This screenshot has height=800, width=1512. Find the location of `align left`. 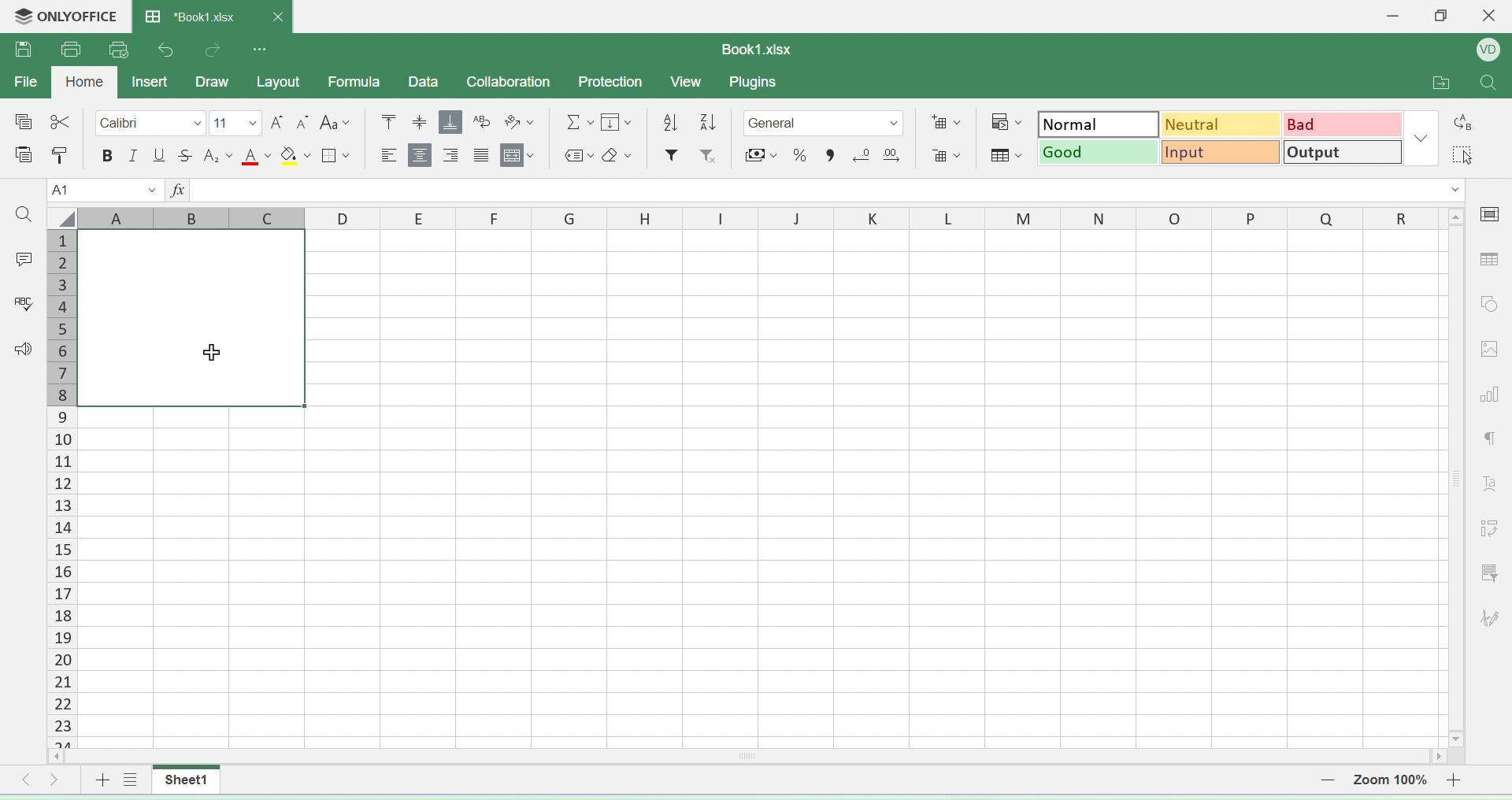

align left is located at coordinates (386, 156).